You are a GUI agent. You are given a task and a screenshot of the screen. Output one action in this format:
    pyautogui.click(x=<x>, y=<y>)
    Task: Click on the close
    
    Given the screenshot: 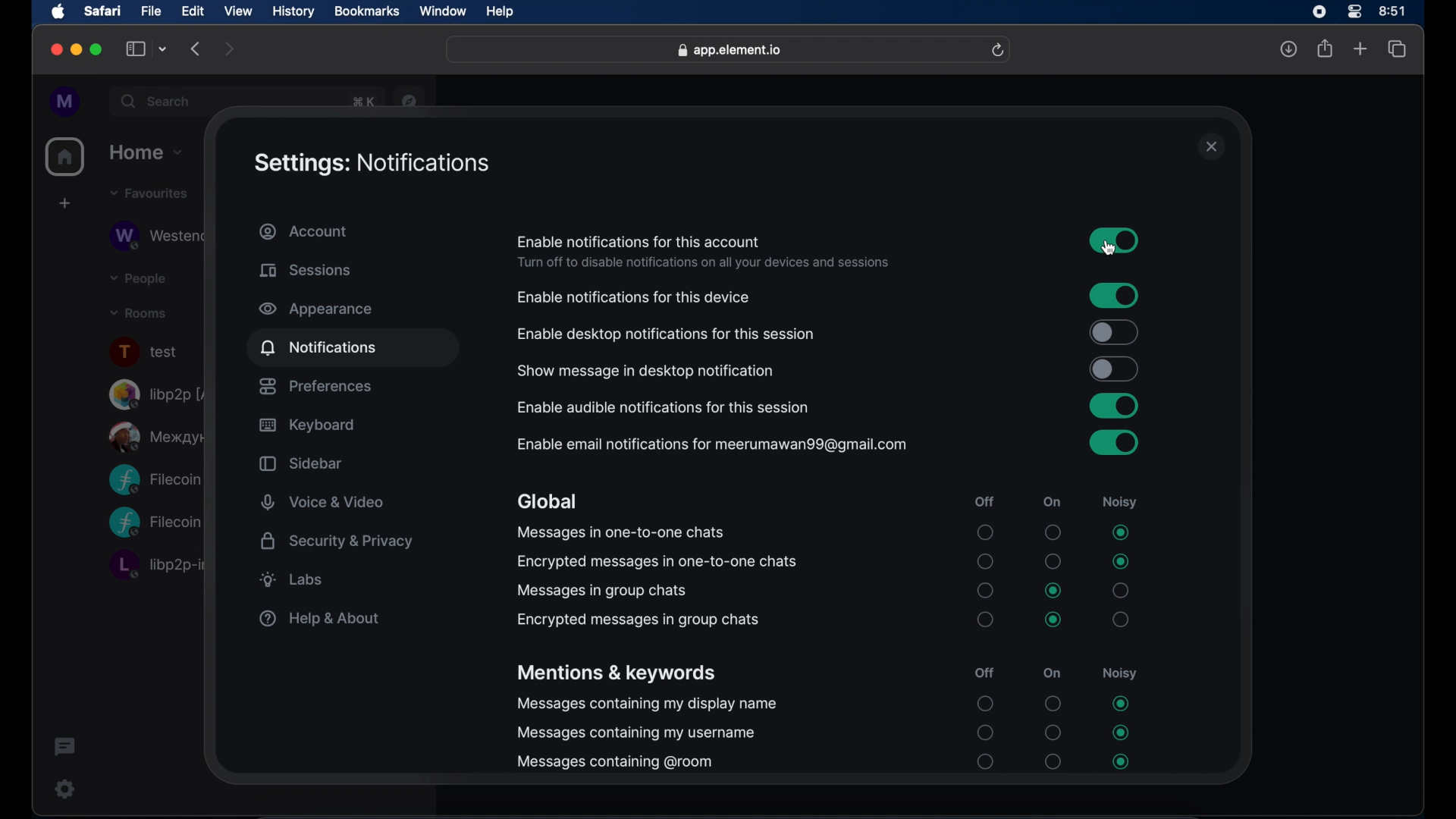 What is the action you would take?
    pyautogui.click(x=1212, y=148)
    